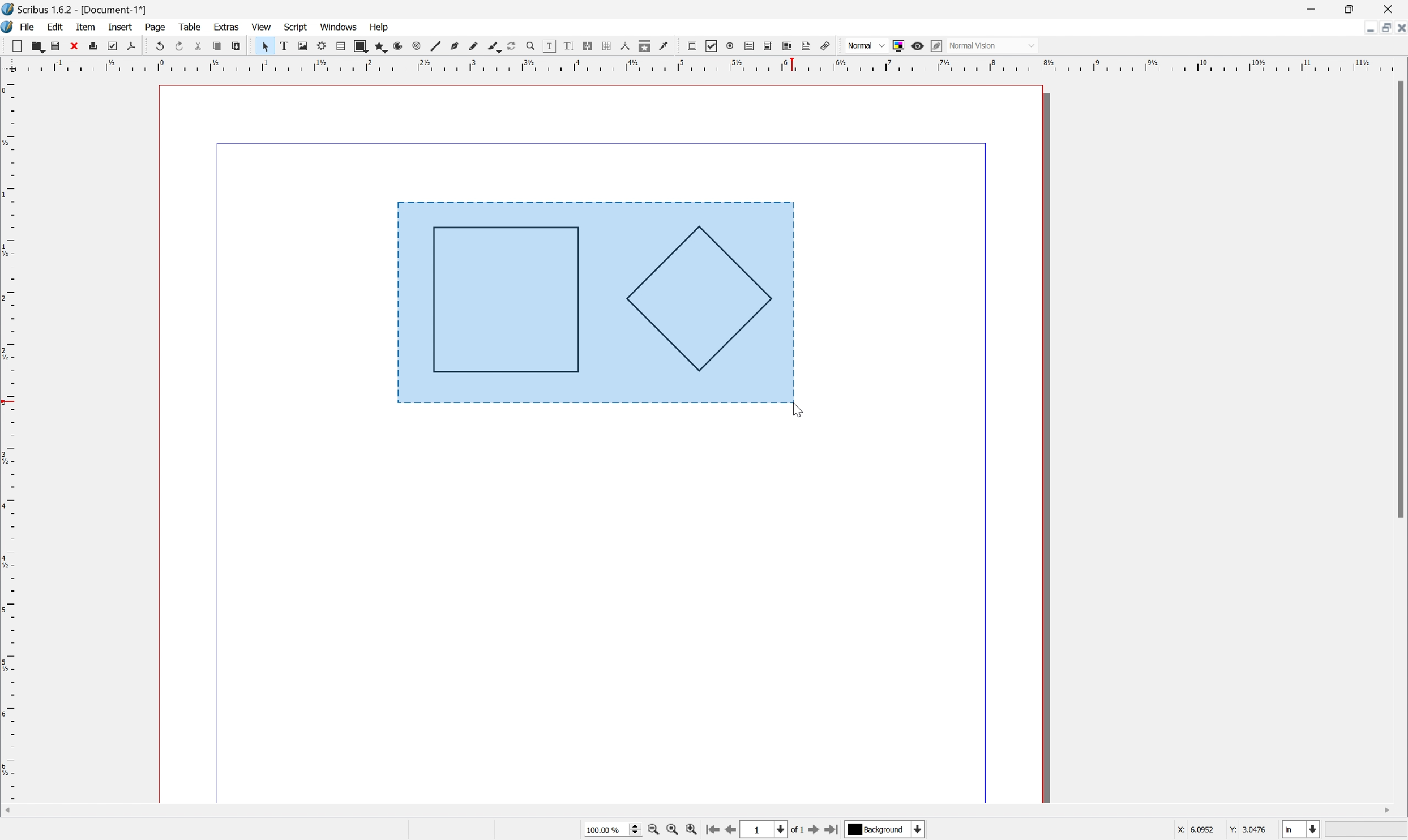  Describe the element at coordinates (670, 832) in the screenshot. I see `Zoom to 100%` at that location.